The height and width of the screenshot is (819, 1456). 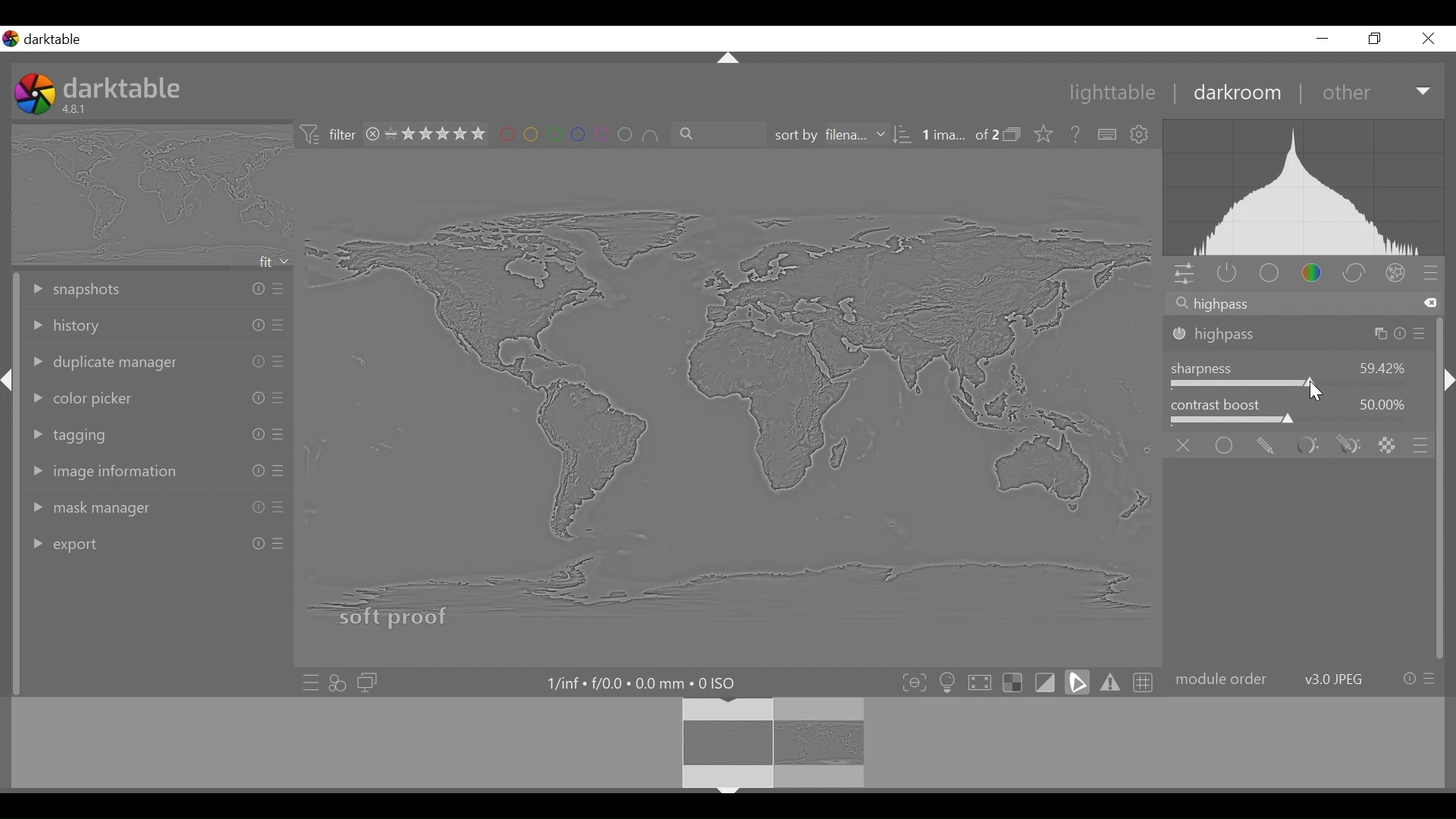 What do you see at coordinates (1431, 303) in the screenshot?
I see `Clear all text` at bounding box center [1431, 303].